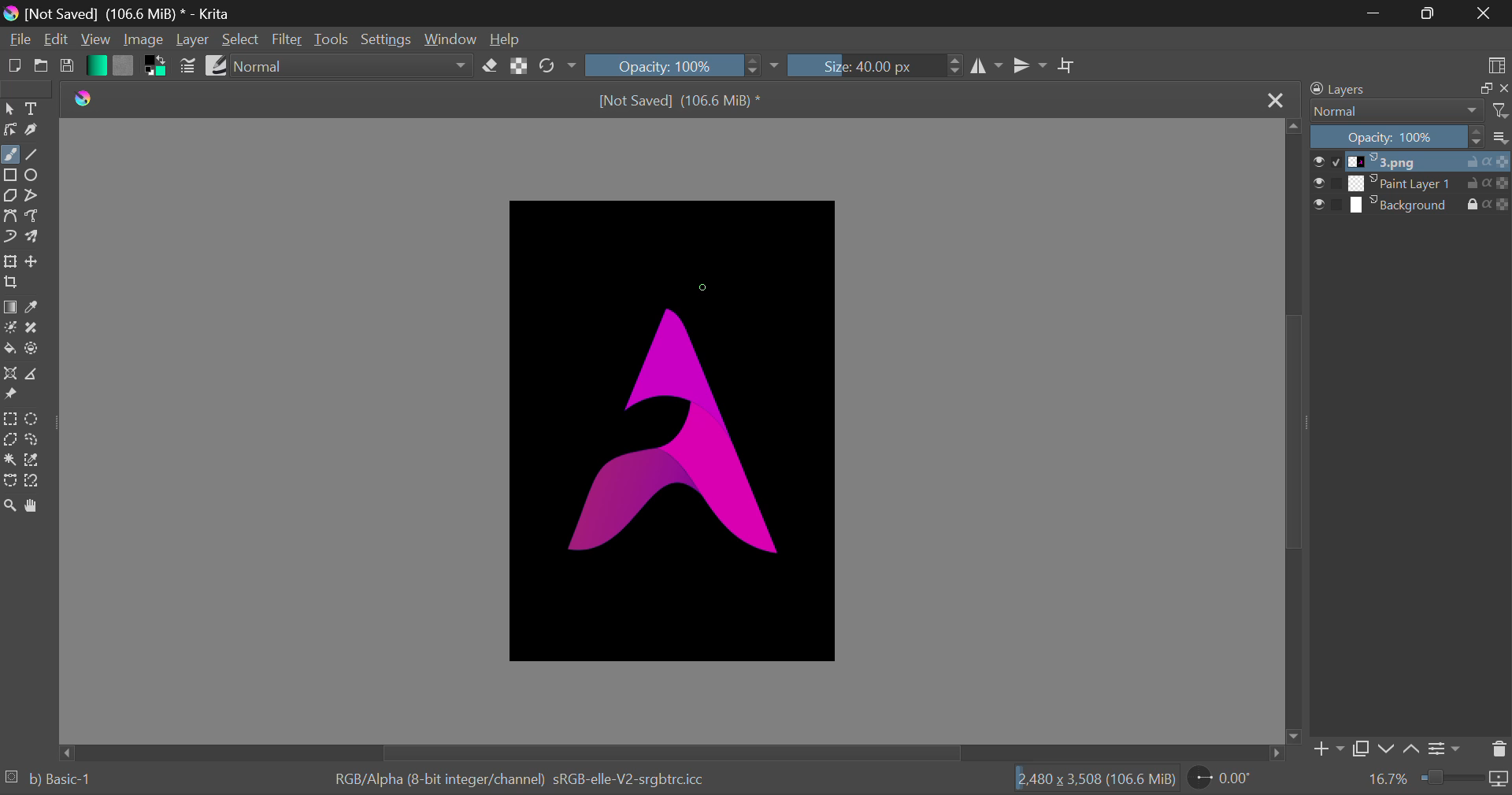 Image resolution: width=1512 pixels, height=795 pixels. I want to click on Eyedropper, so click(36, 308).